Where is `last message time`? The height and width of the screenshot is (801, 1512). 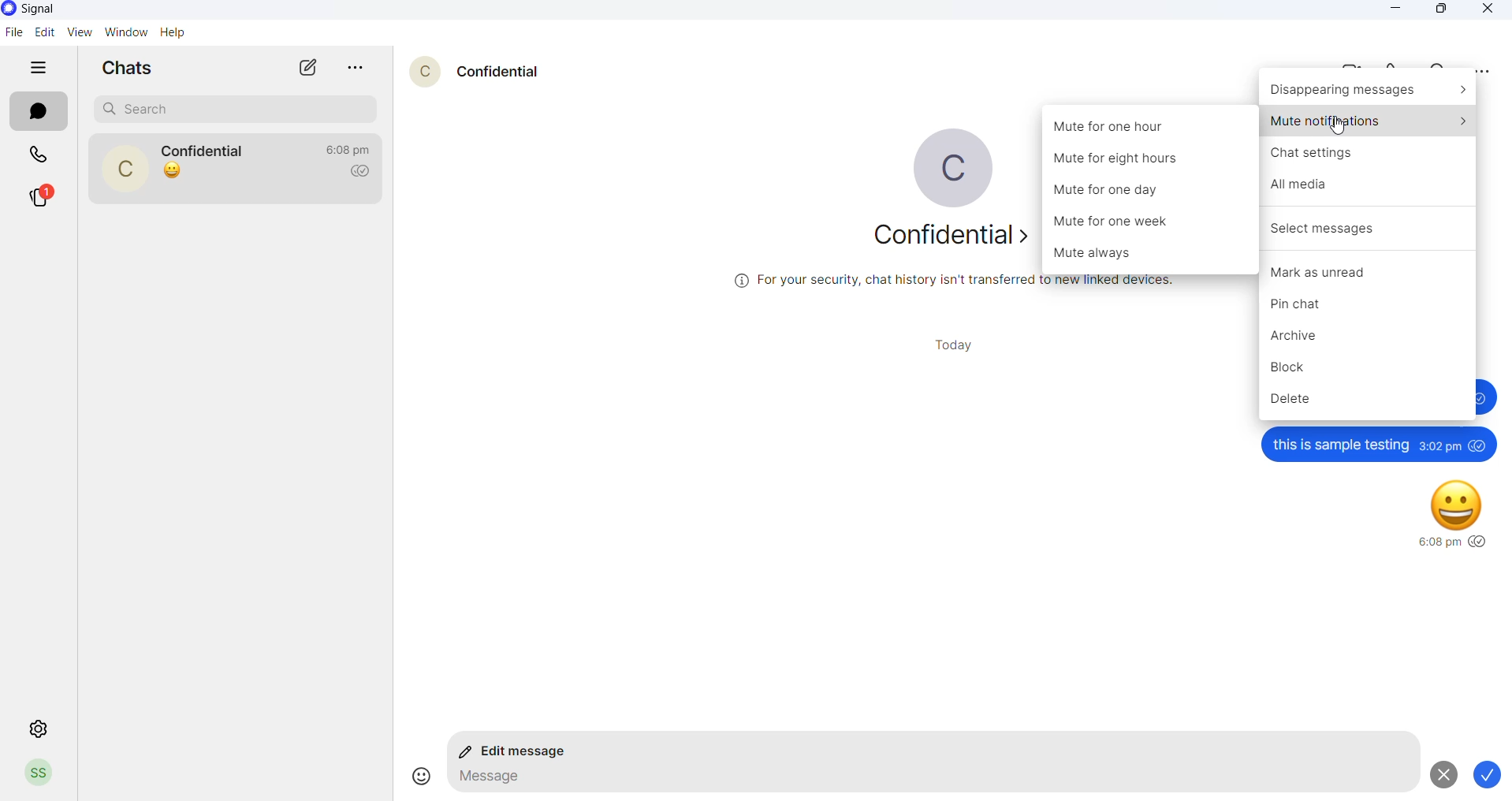 last message time is located at coordinates (348, 149).